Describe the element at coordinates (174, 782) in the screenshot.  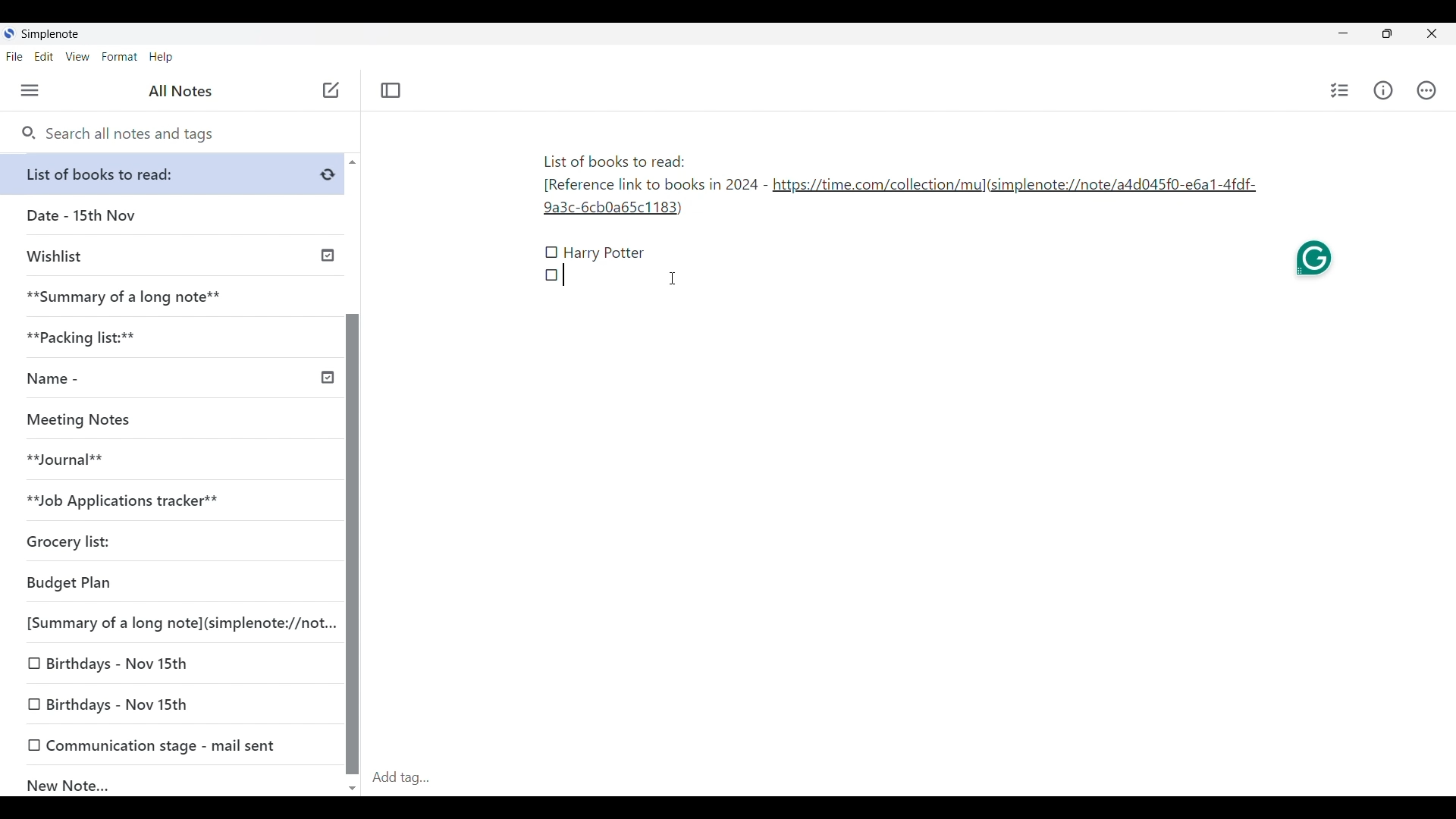
I see `New Note...` at that location.